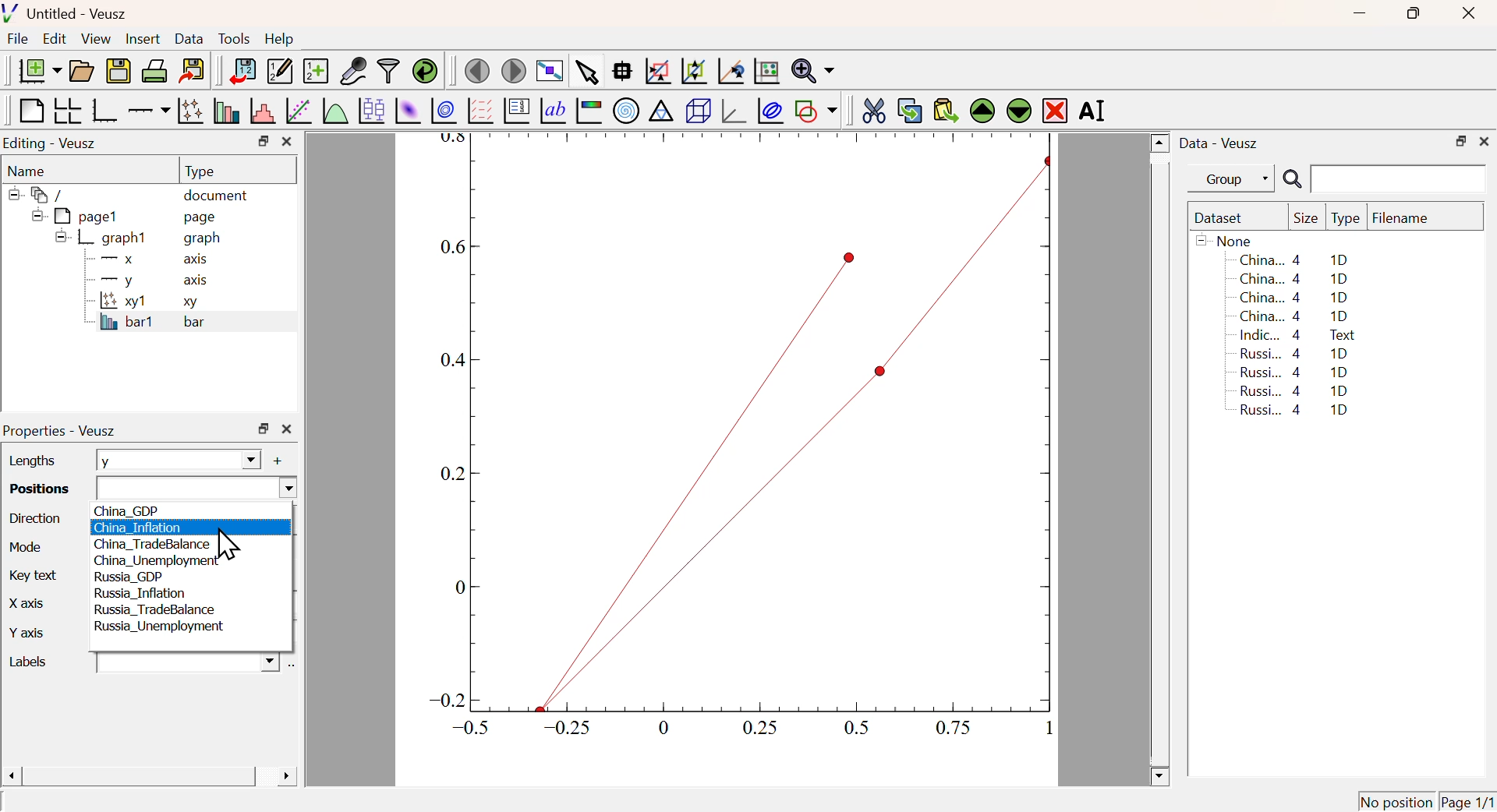  What do you see at coordinates (18, 39) in the screenshot?
I see `File` at bounding box center [18, 39].